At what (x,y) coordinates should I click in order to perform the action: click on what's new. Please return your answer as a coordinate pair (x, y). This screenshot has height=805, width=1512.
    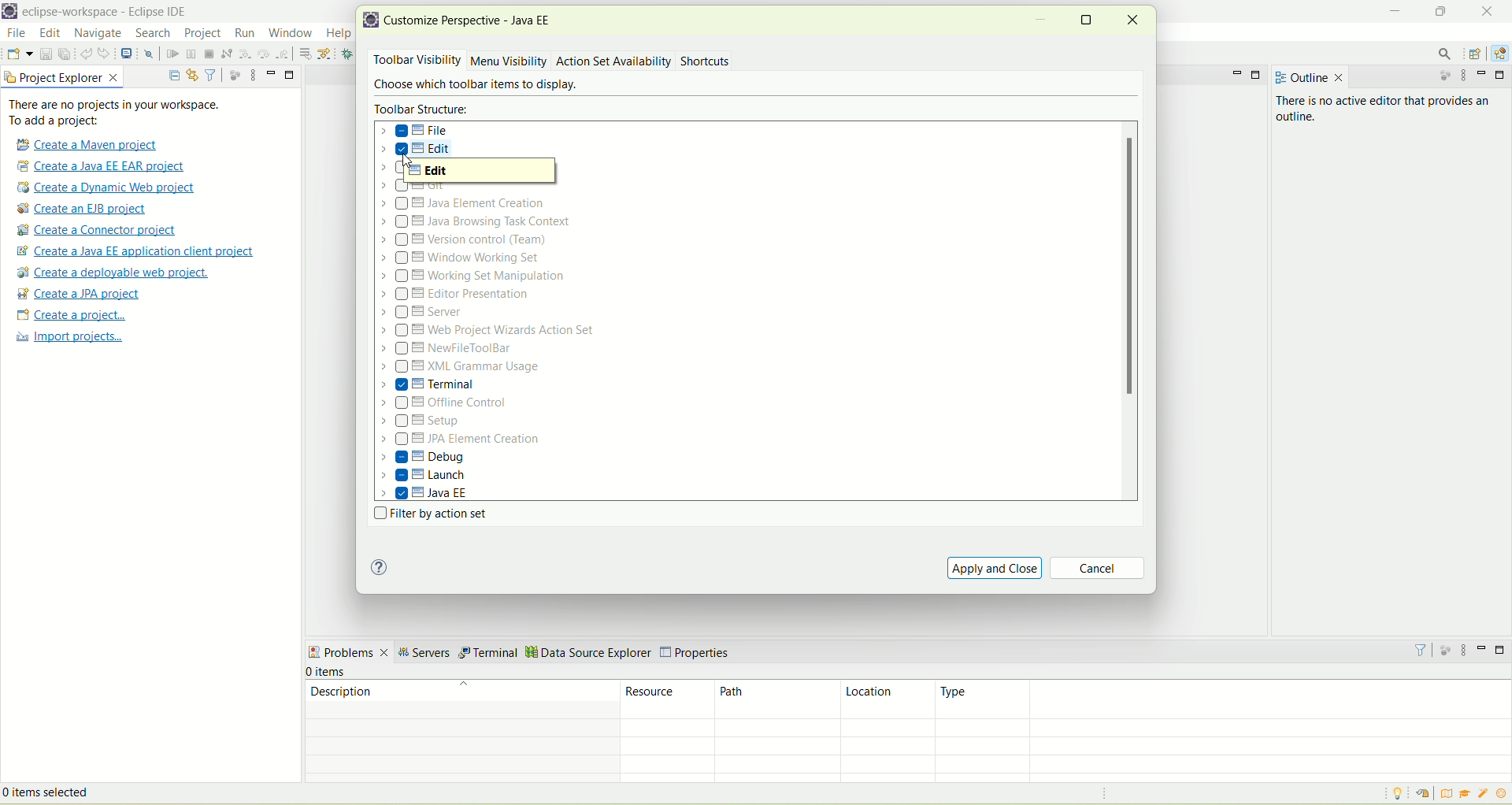
    Looking at the image, I should click on (1503, 794).